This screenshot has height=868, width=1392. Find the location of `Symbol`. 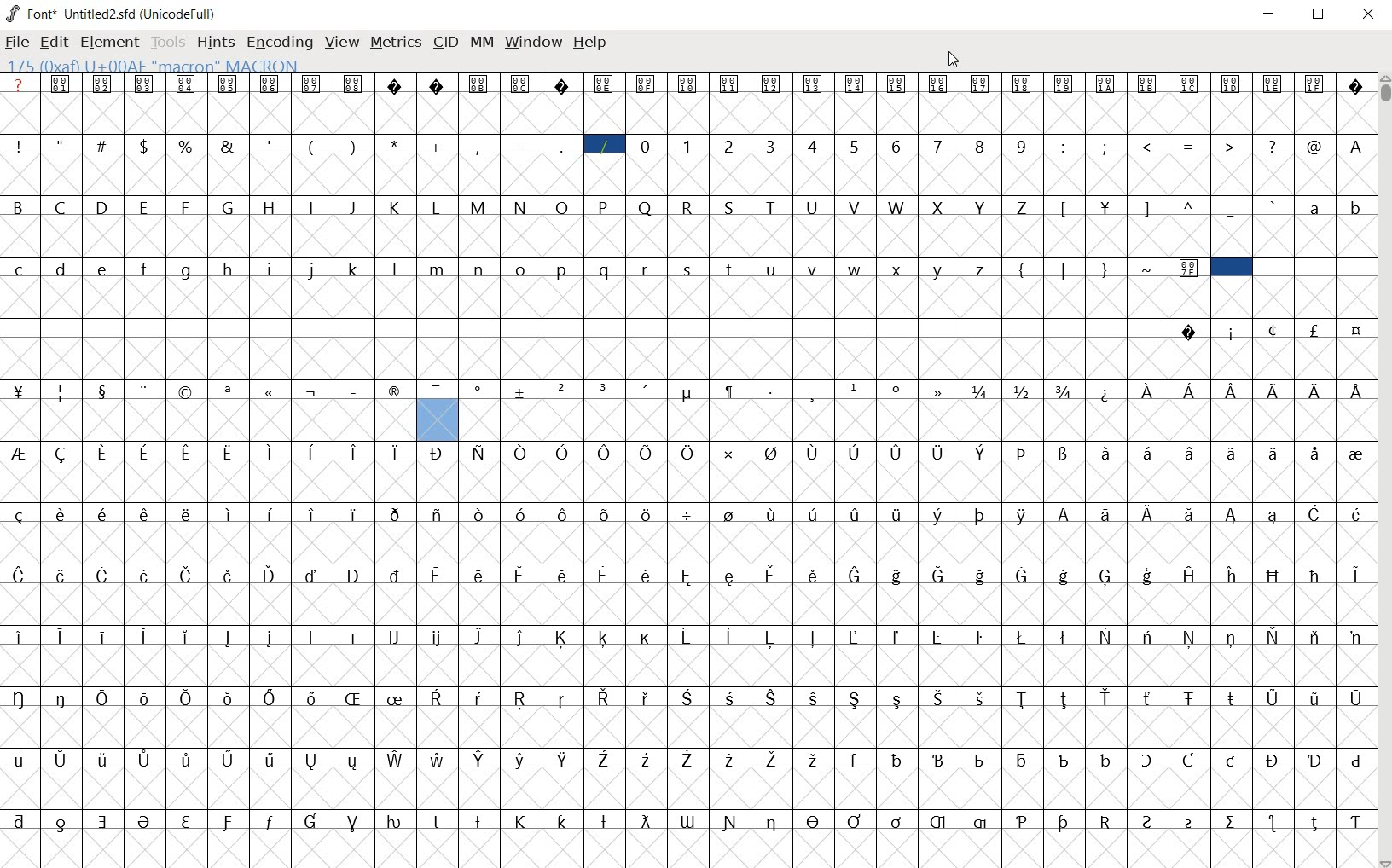

Symbol is located at coordinates (1191, 638).